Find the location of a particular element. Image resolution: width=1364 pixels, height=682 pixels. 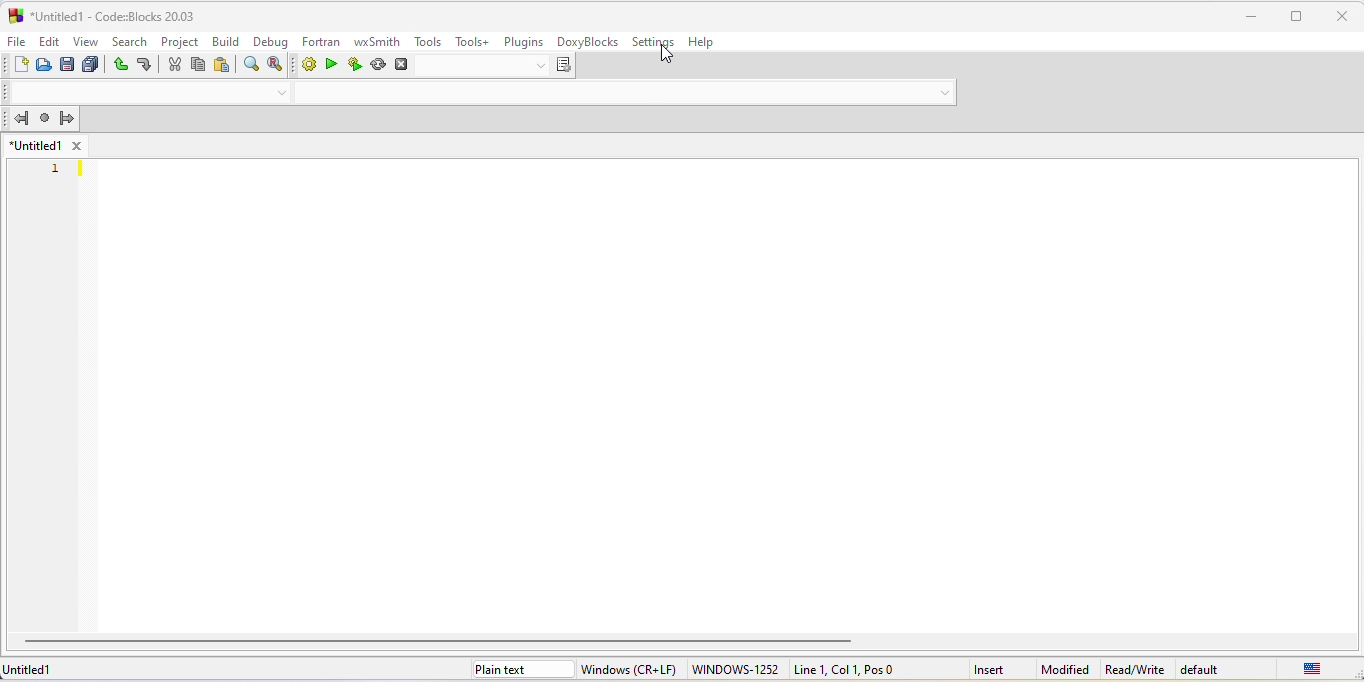

maximize is located at coordinates (1297, 17).